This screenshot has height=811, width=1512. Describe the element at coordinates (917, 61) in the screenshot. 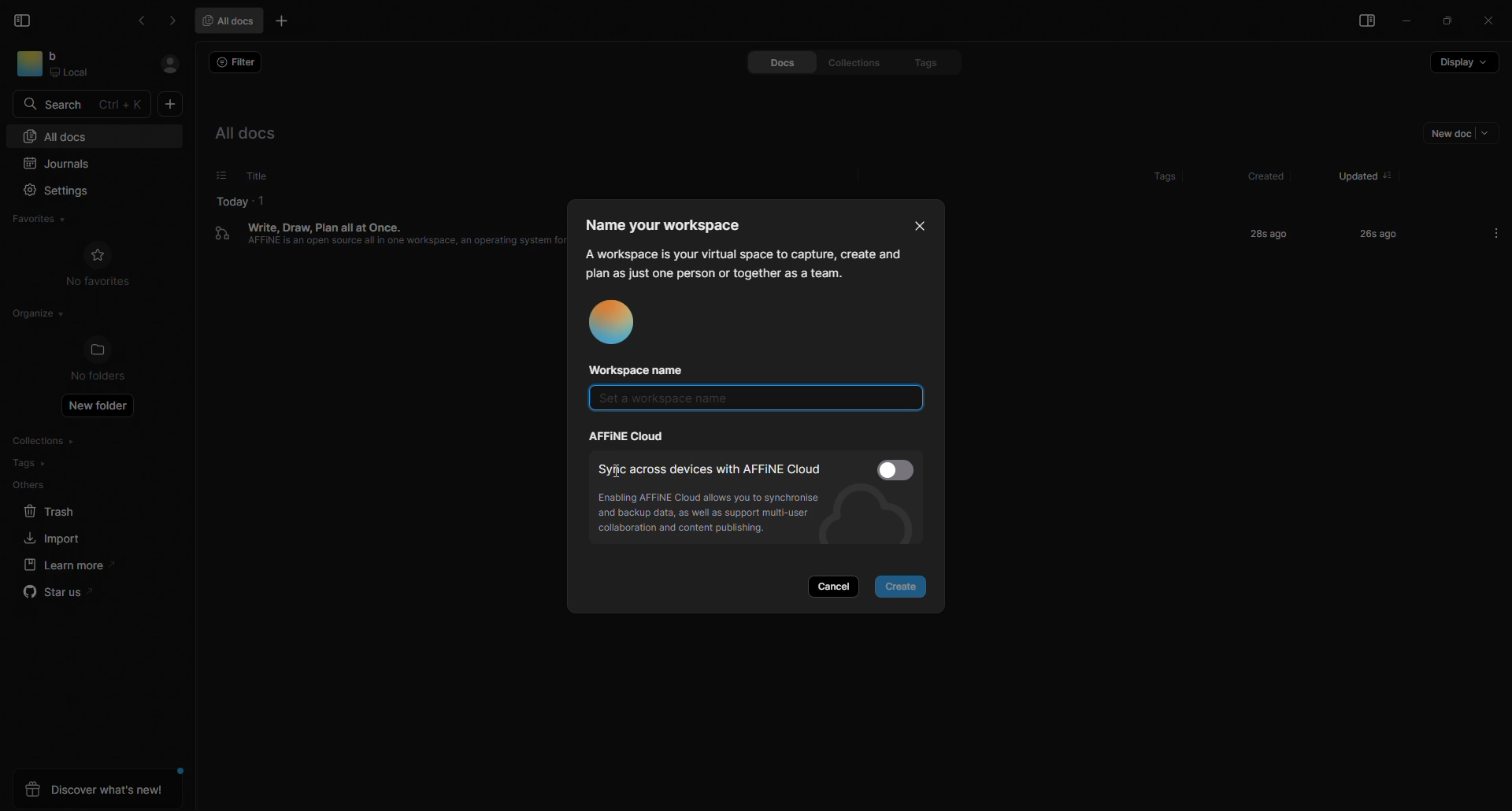

I see `tags` at that location.